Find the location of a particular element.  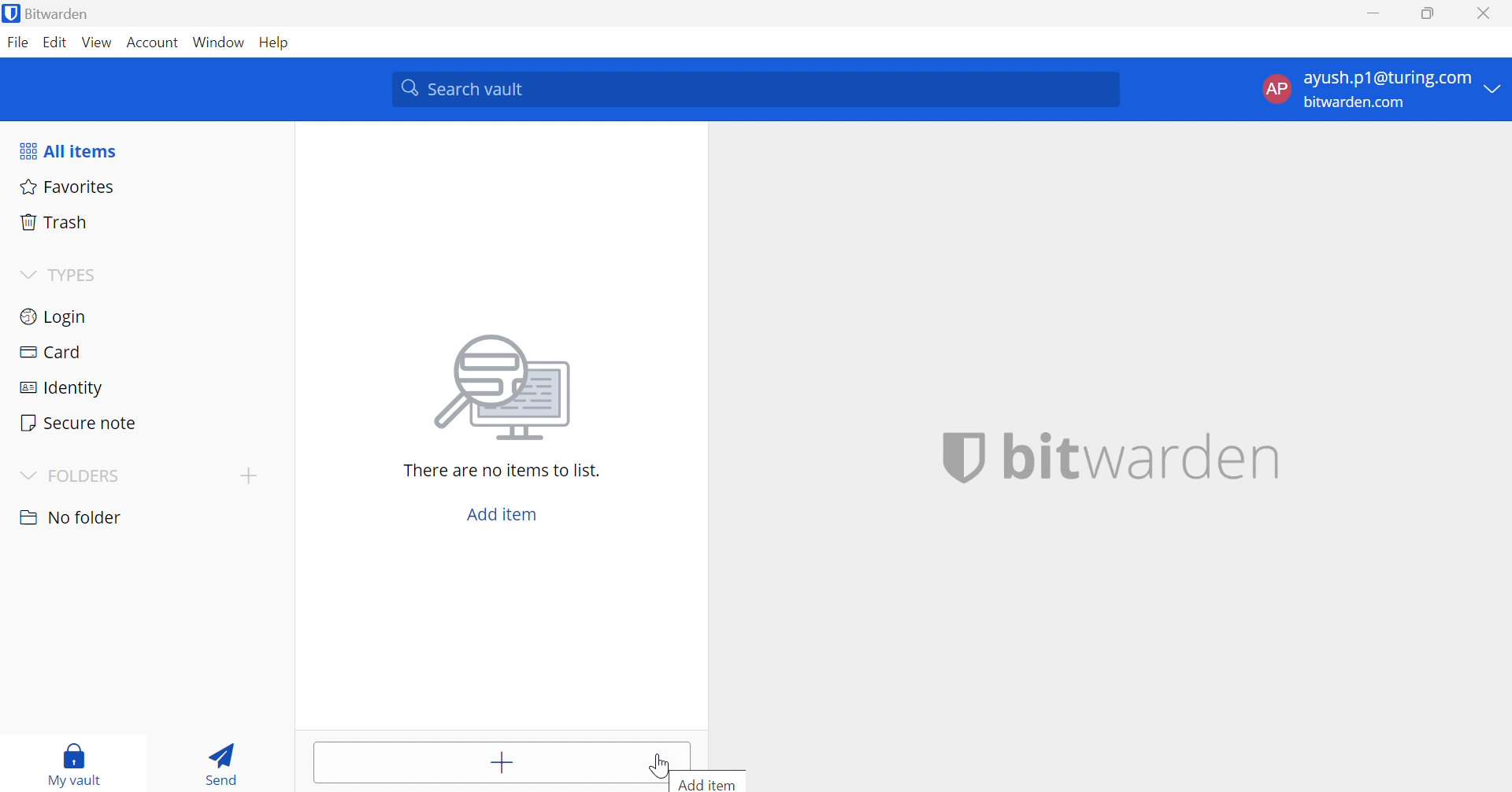

Add item is located at coordinates (706, 783).